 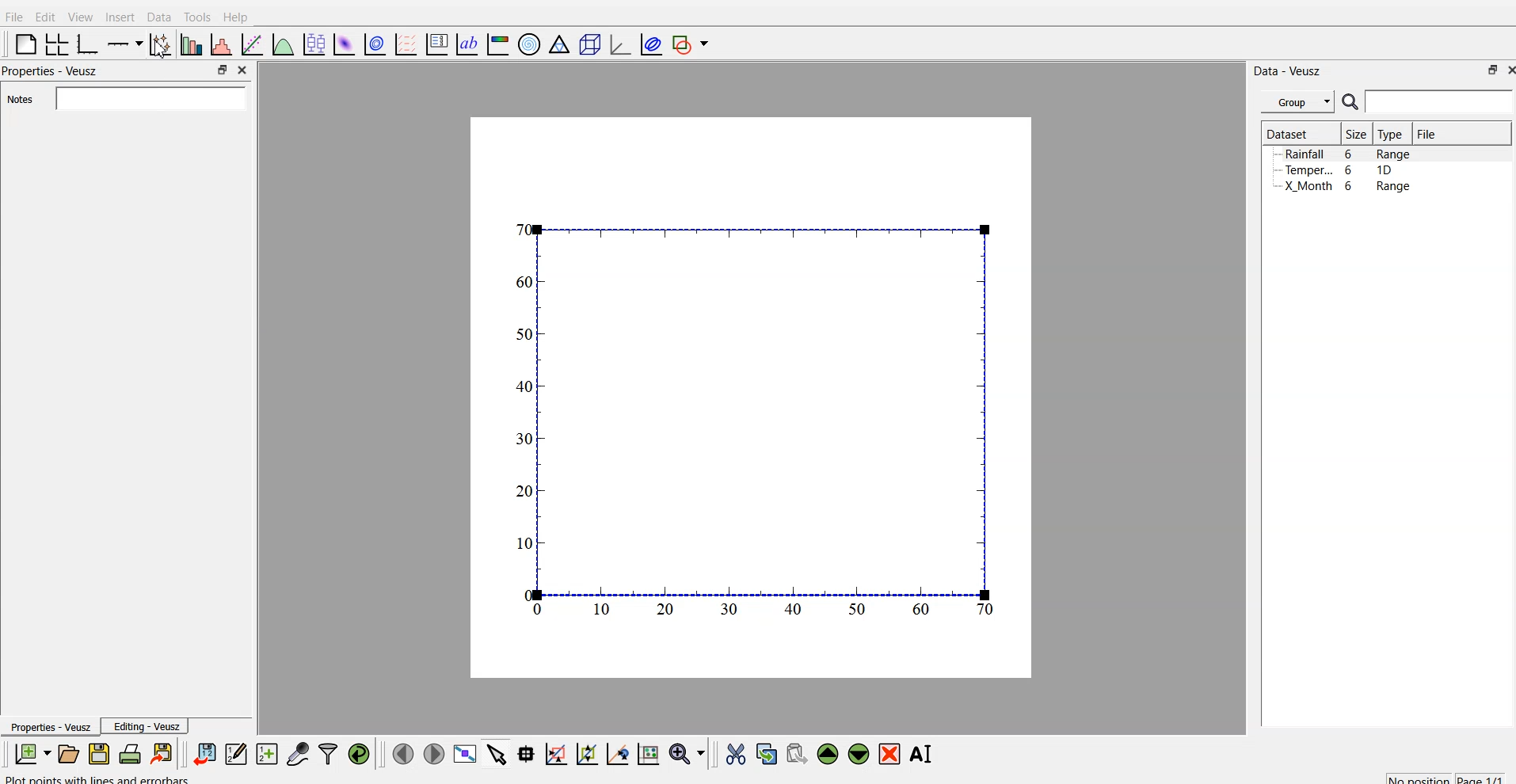 I want to click on arrange grid in graph, so click(x=55, y=45).